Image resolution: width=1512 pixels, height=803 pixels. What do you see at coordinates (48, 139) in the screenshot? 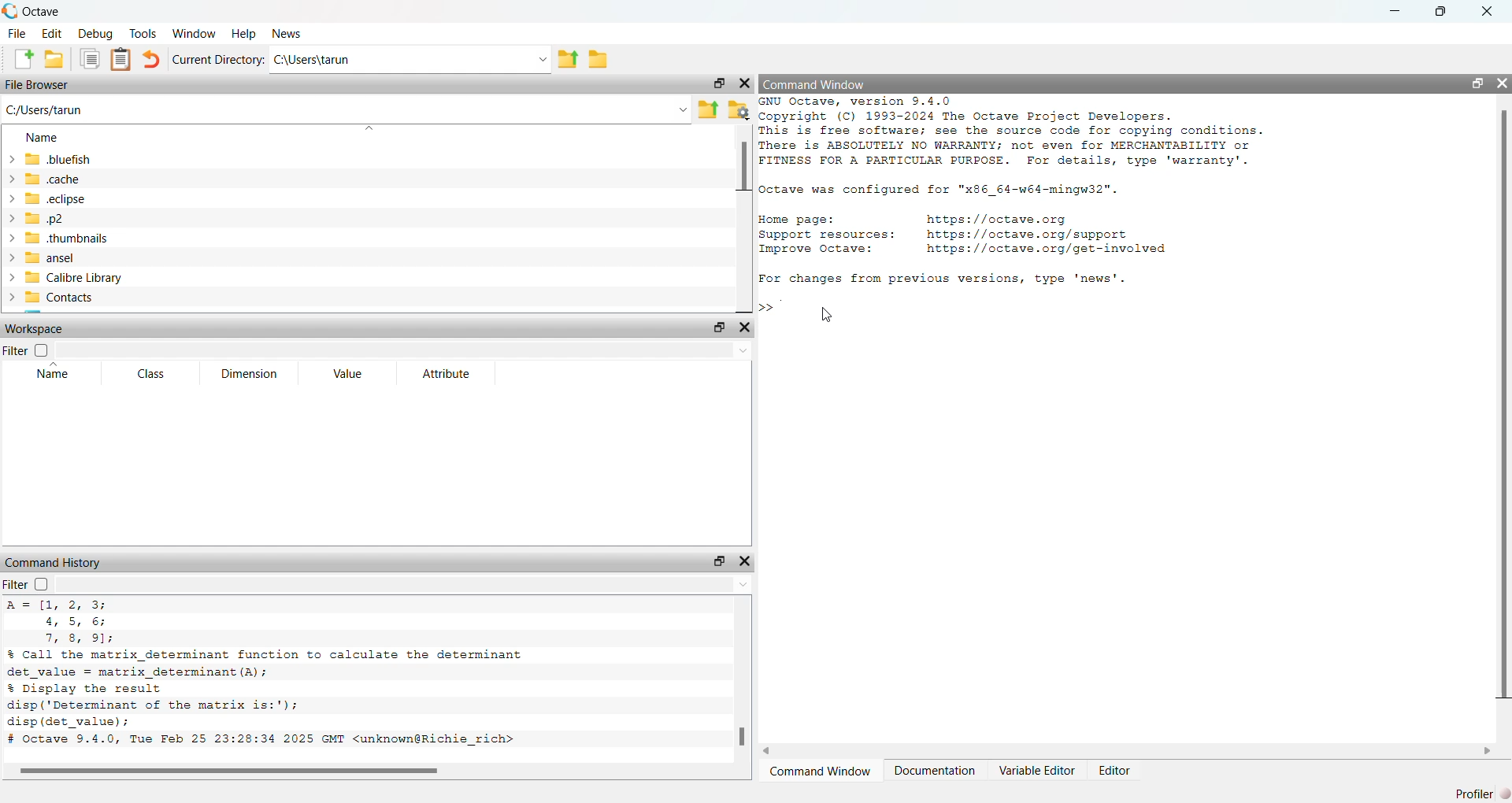
I see `name` at bounding box center [48, 139].